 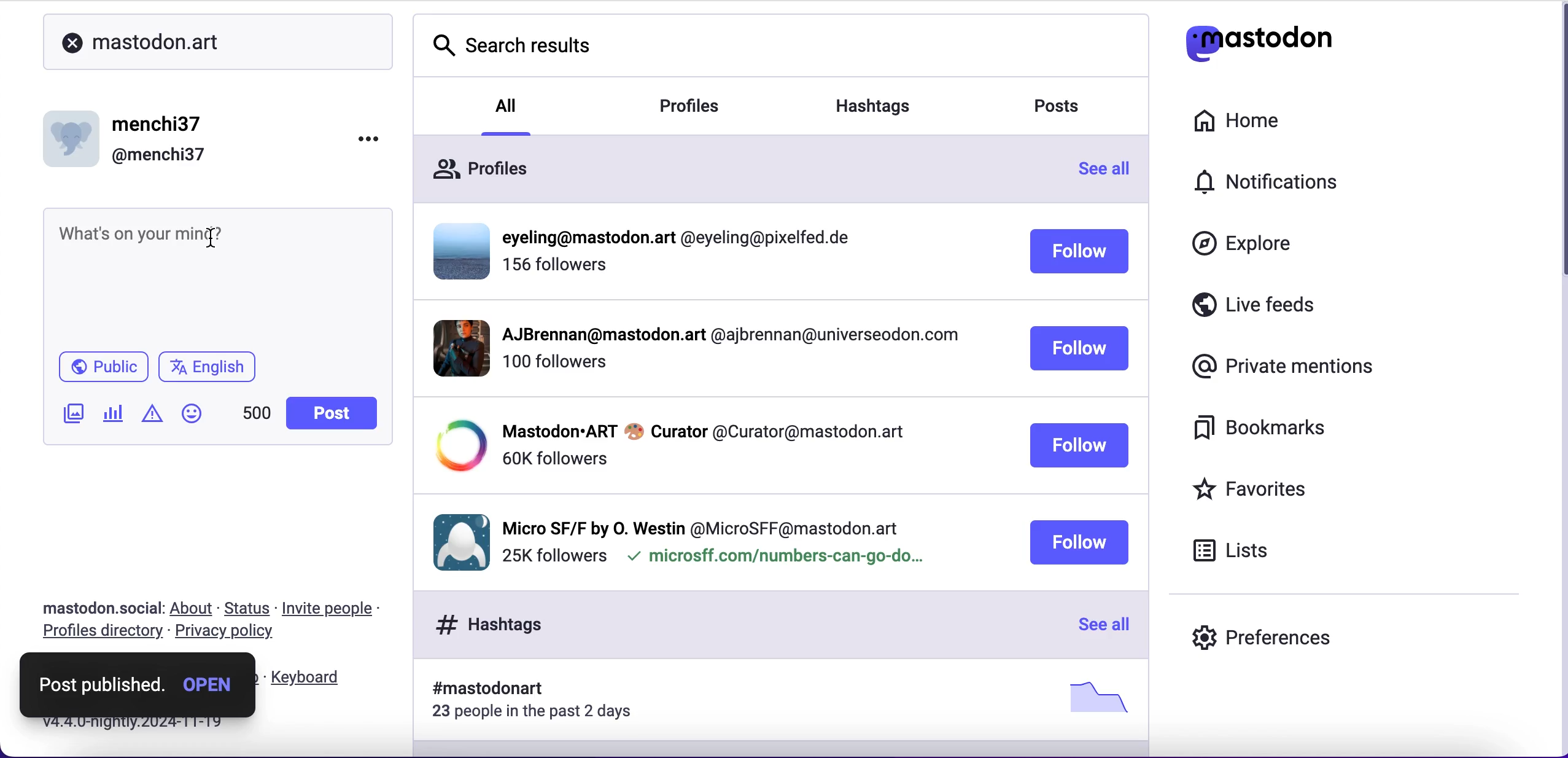 I want to click on picture, so click(x=1093, y=697).